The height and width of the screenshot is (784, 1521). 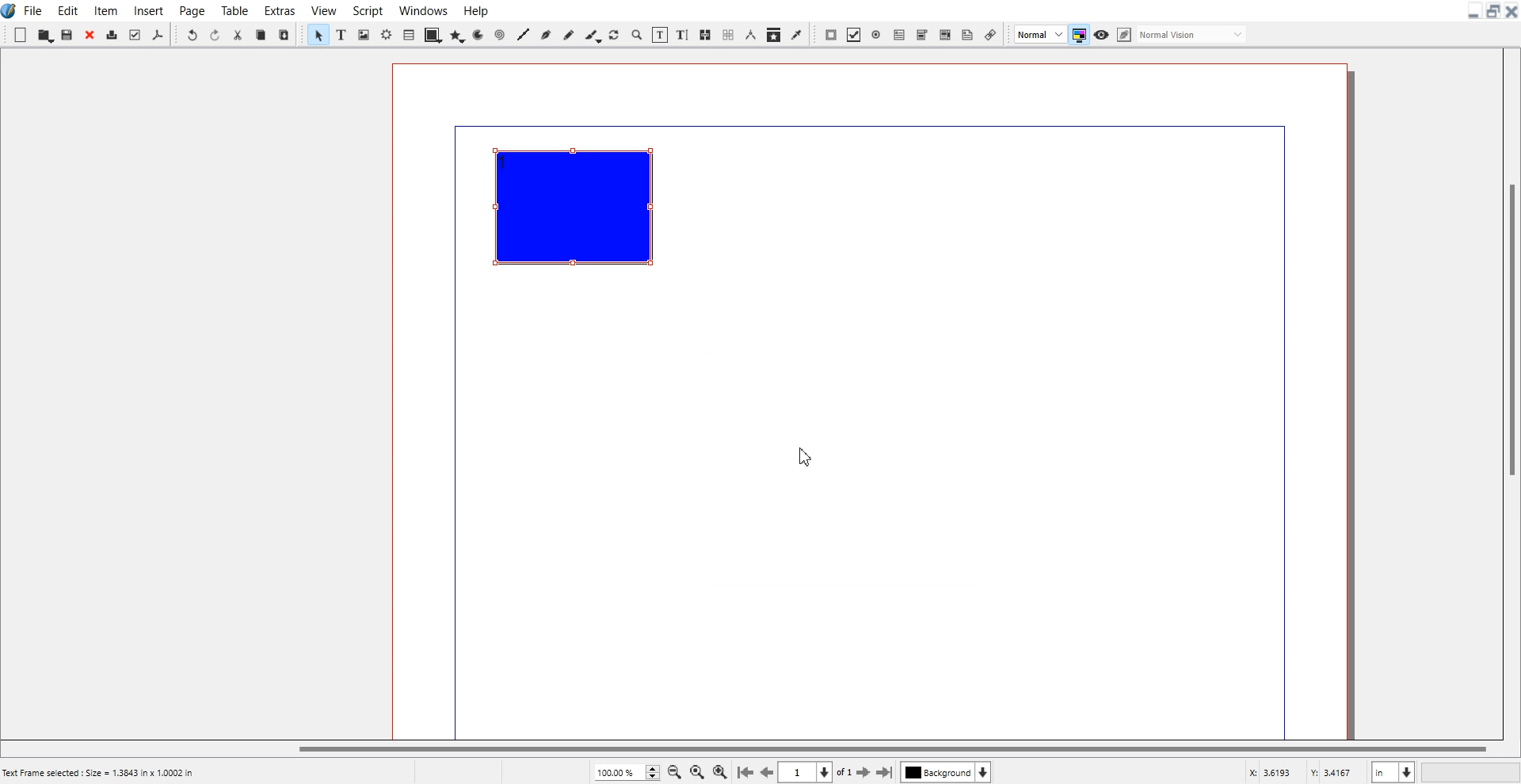 What do you see at coordinates (1510, 391) in the screenshot?
I see `Vertical Scroll bar` at bounding box center [1510, 391].